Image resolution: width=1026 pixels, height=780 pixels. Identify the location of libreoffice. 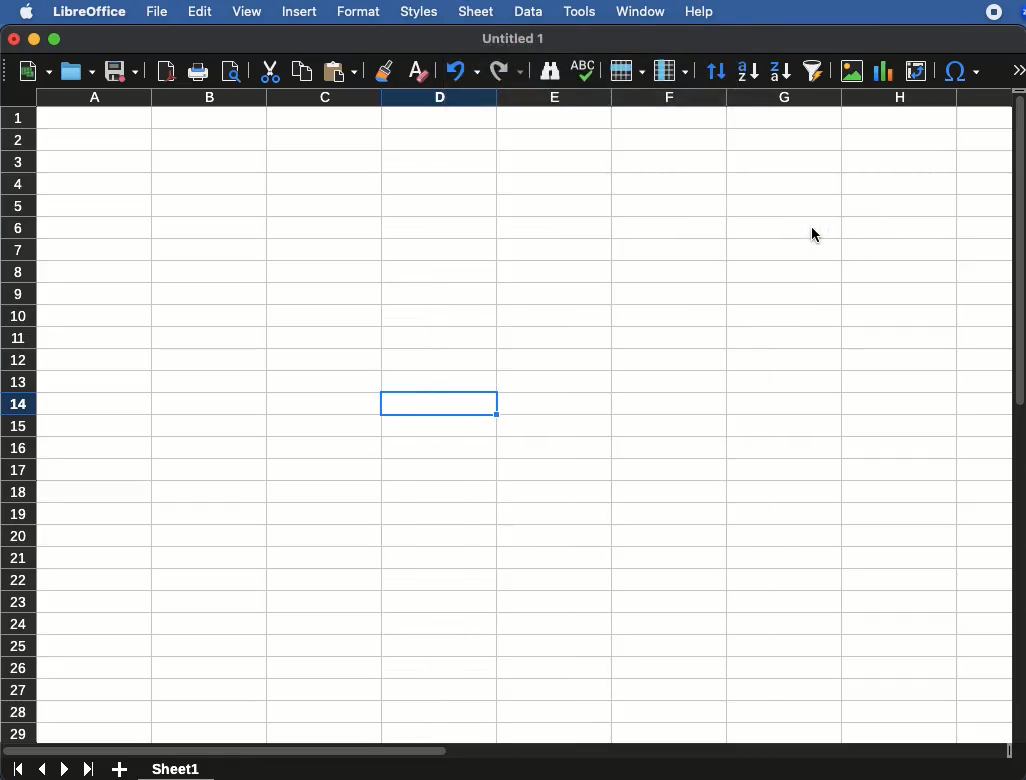
(90, 10).